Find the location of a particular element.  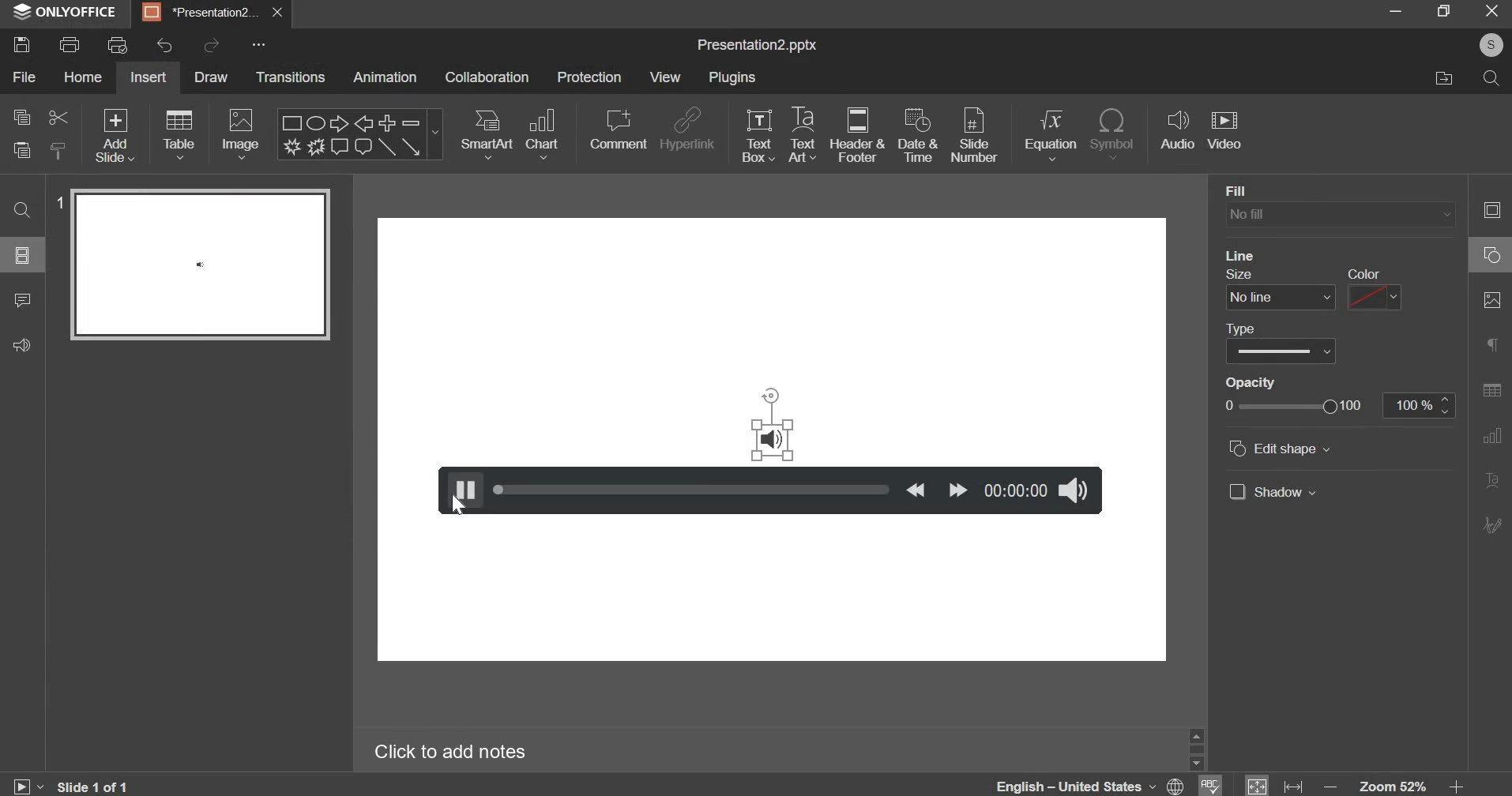

text art is located at coordinates (804, 134).